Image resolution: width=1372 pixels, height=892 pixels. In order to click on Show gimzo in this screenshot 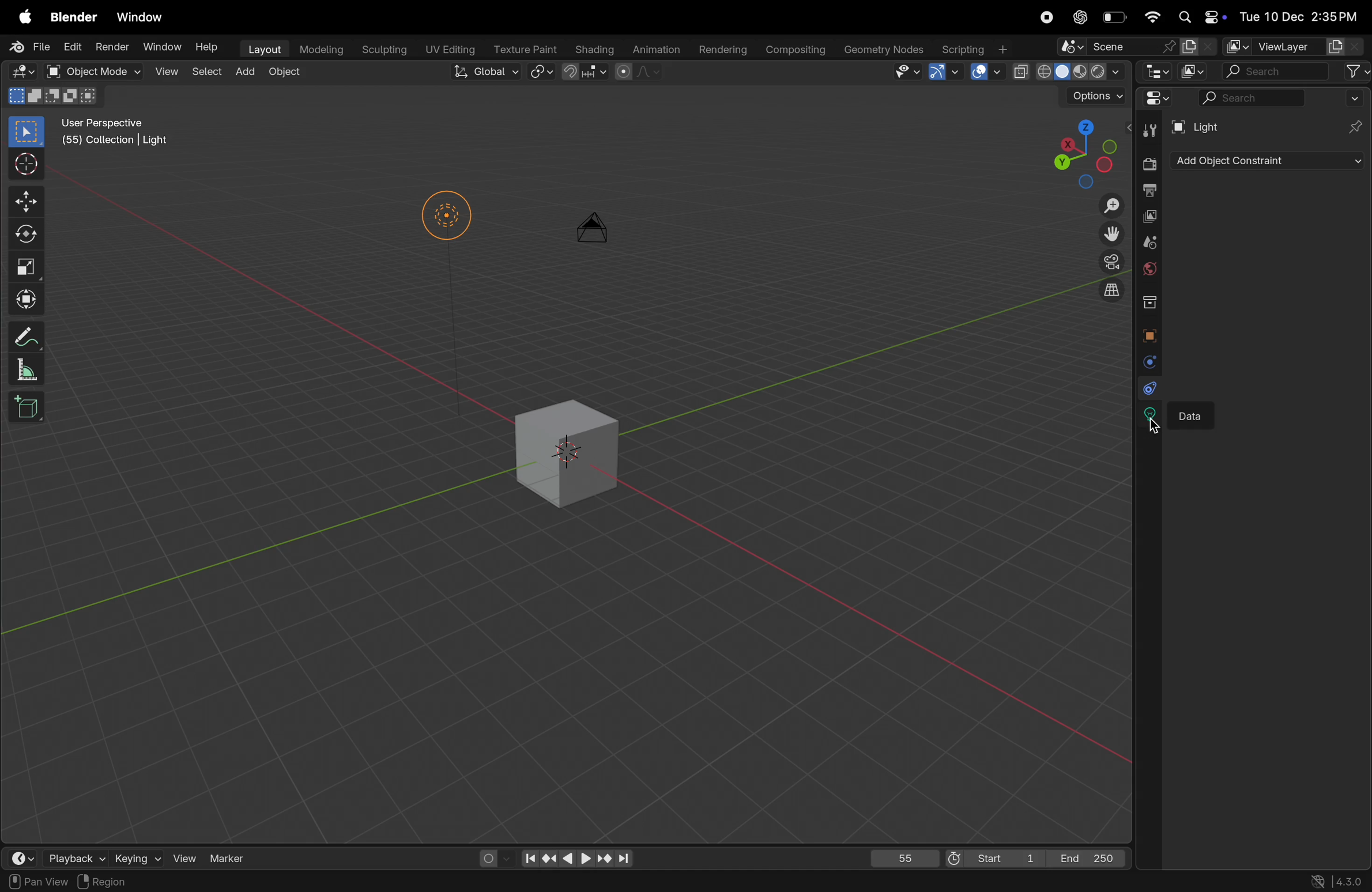, I will do `click(941, 71)`.